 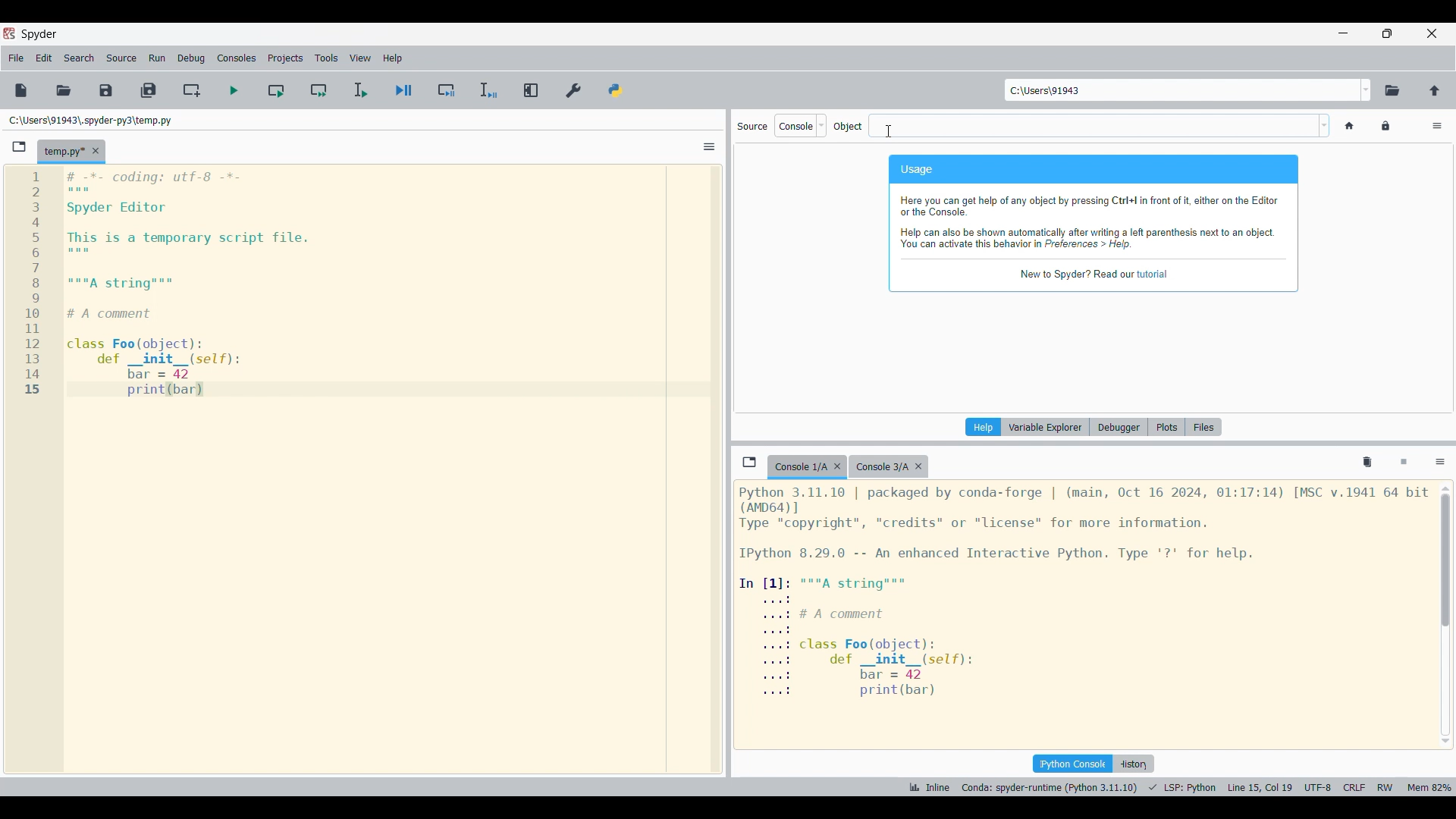 I want to click on LSP python, so click(x=1185, y=786).